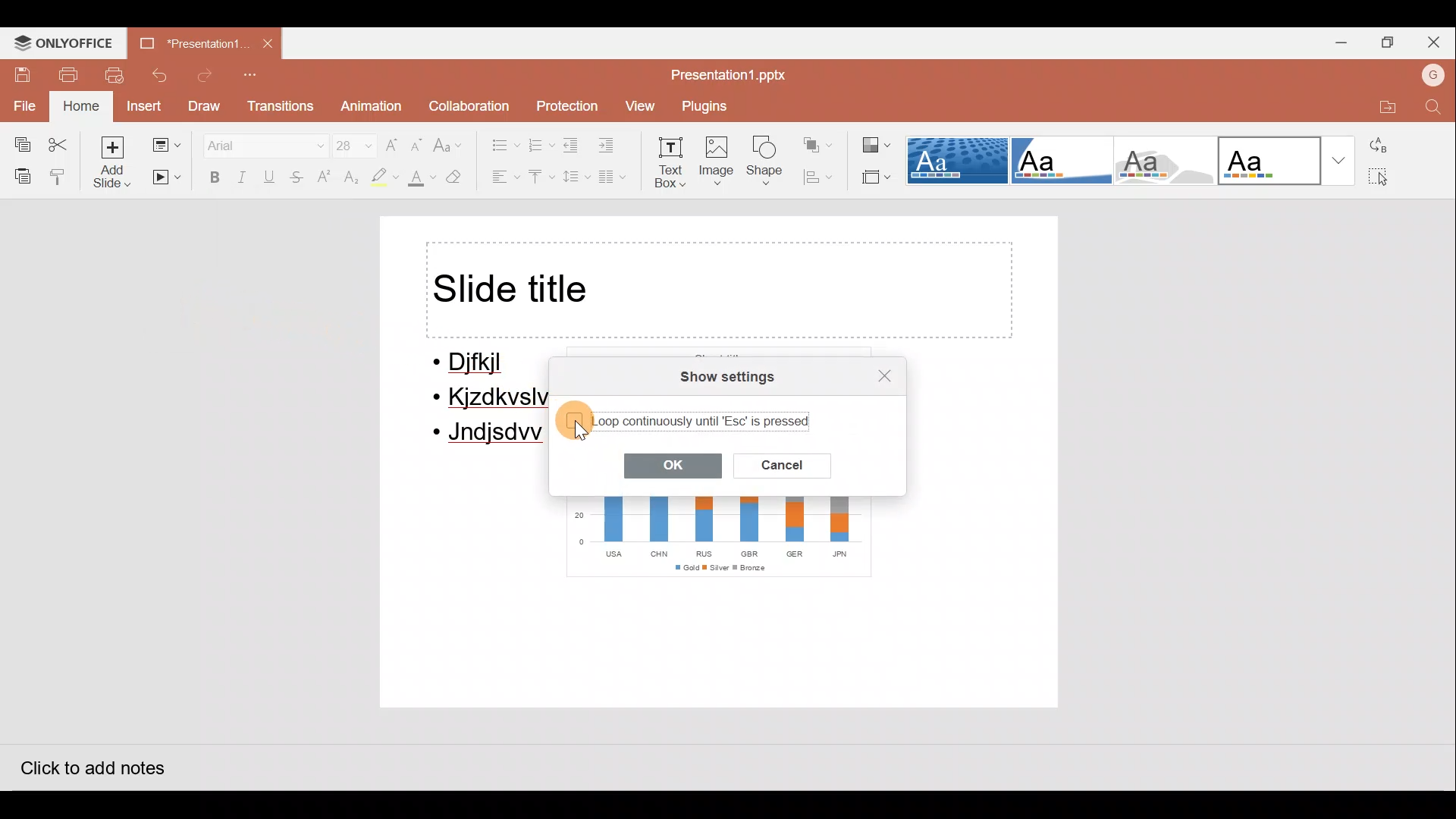  Describe the element at coordinates (203, 111) in the screenshot. I see `Draw` at that location.